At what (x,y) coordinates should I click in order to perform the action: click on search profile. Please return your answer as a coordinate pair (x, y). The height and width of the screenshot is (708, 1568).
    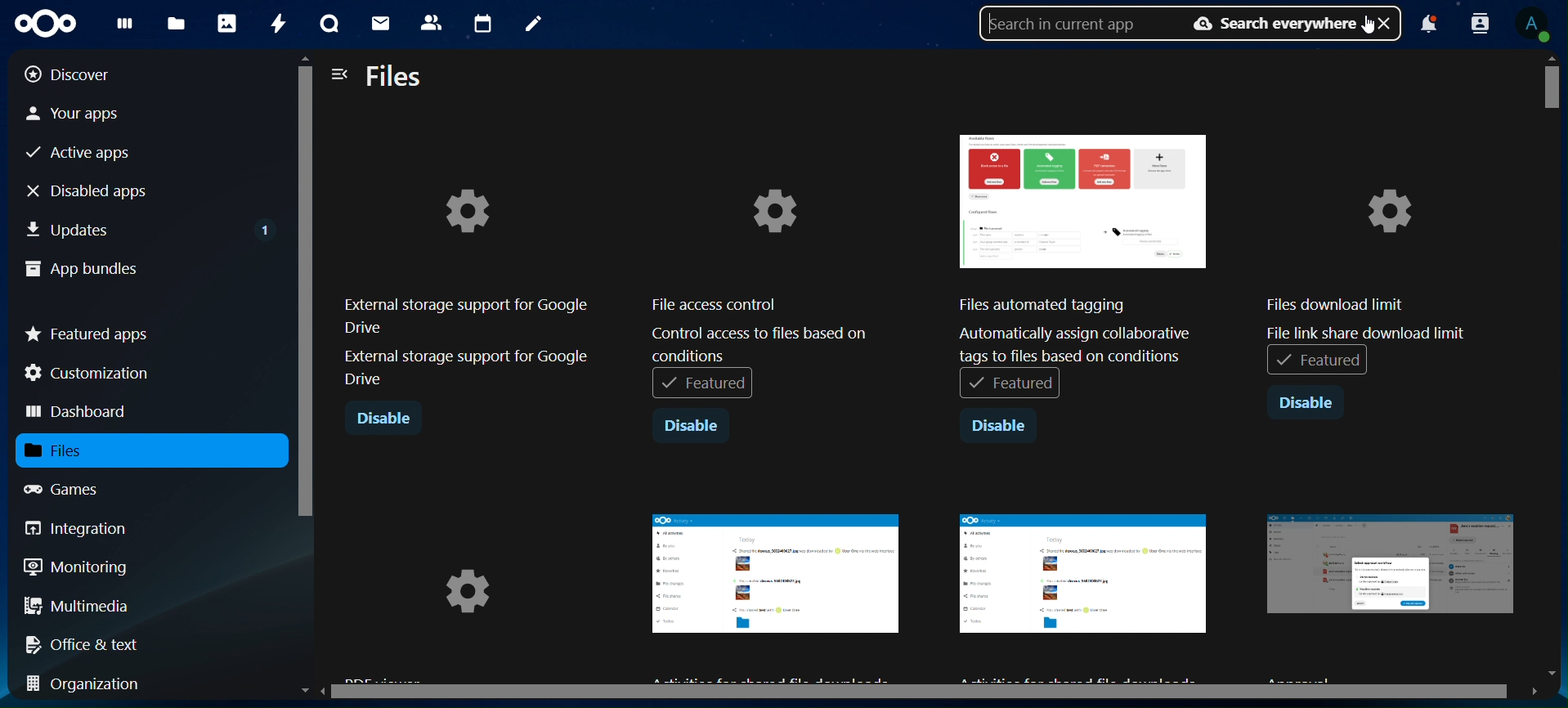
    Looking at the image, I should click on (1481, 22).